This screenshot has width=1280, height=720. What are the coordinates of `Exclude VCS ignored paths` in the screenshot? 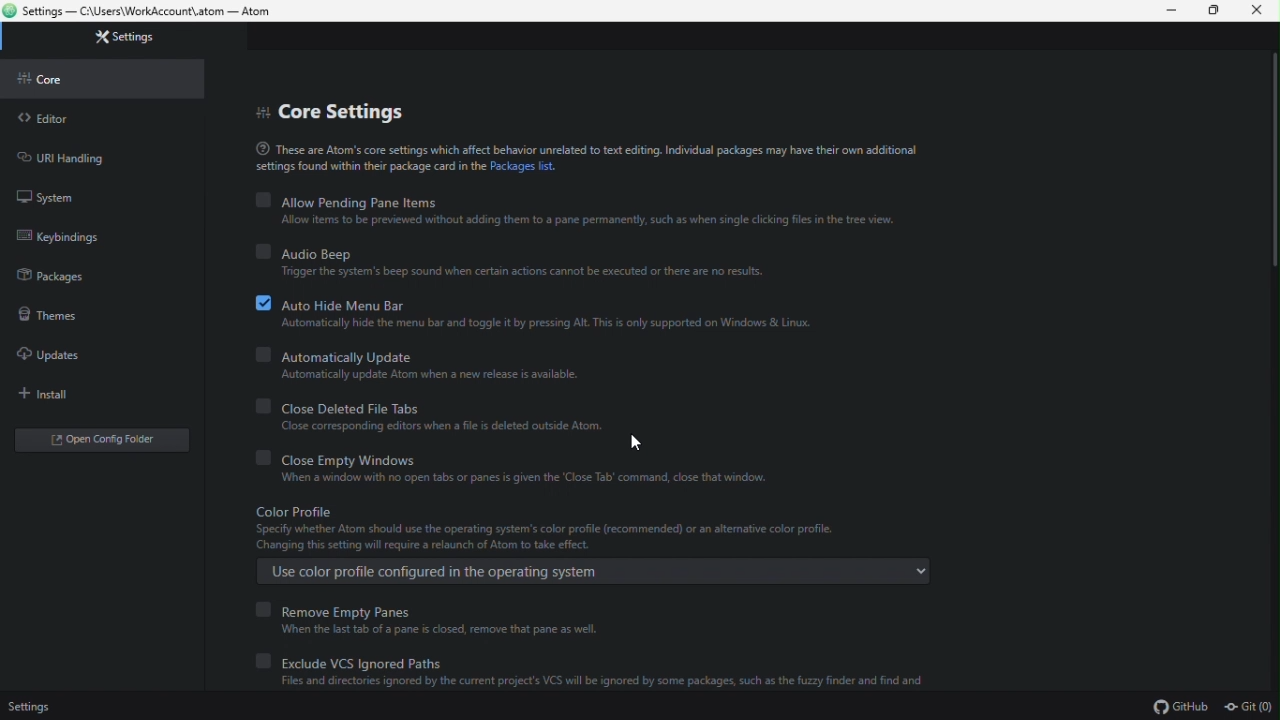 It's located at (341, 659).